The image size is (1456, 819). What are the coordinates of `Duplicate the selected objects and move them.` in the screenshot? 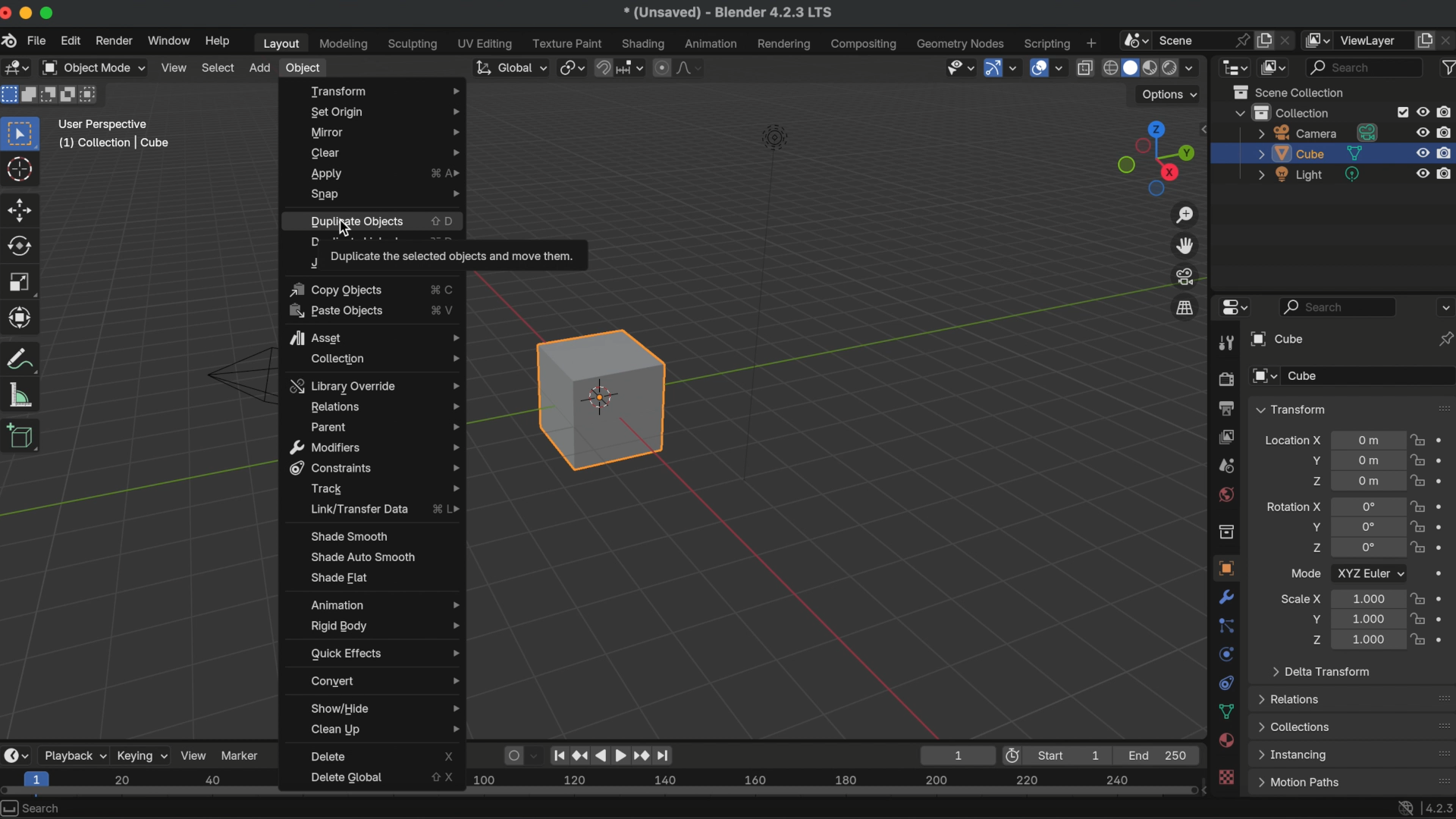 It's located at (453, 256).